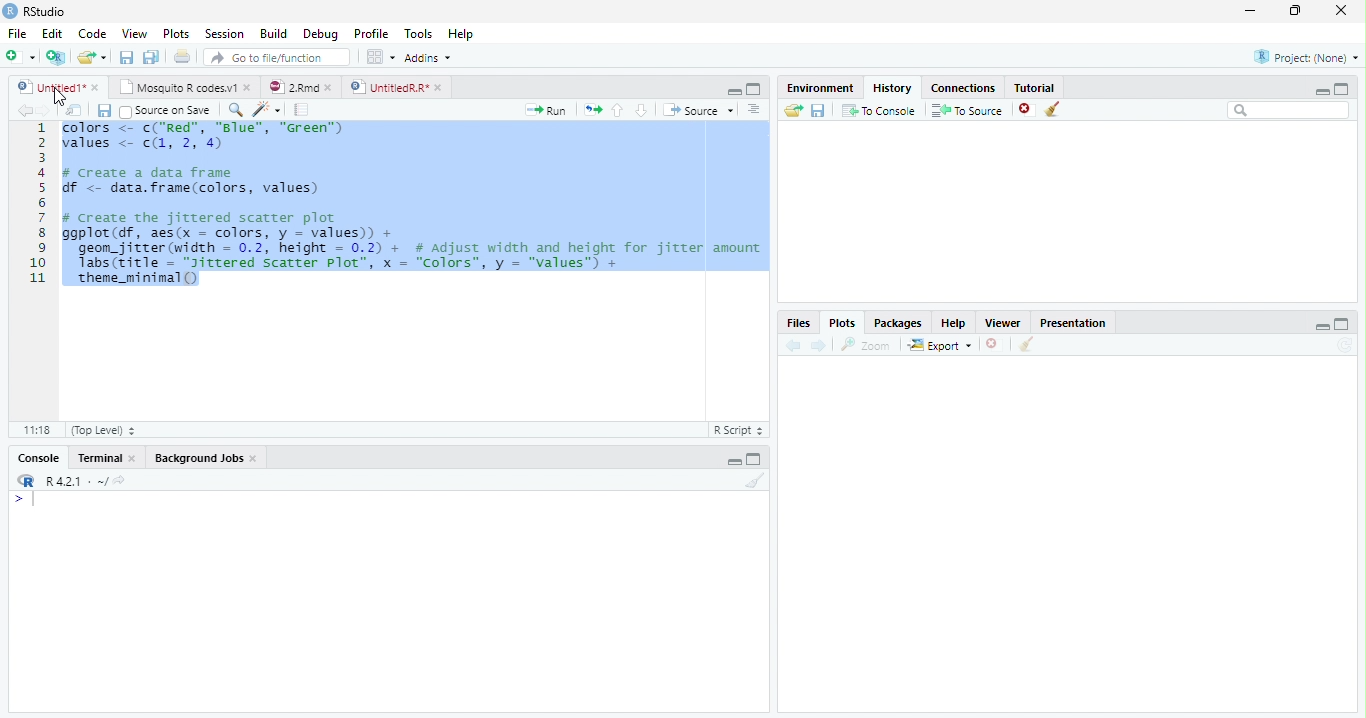 The height and width of the screenshot is (718, 1366). What do you see at coordinates (968, 110) in the screenshot?
I see `To Source` at bounding box center [968, 110].